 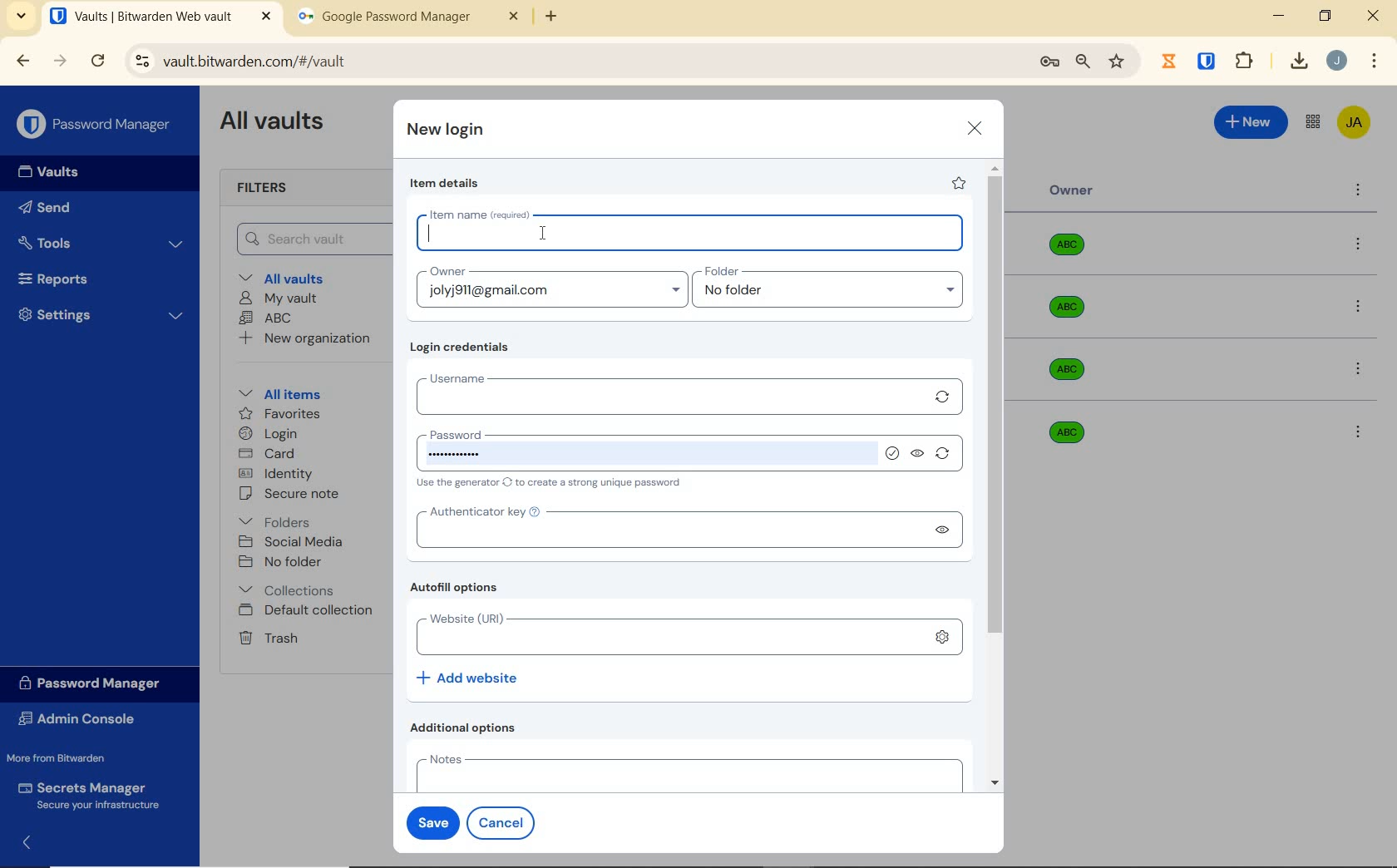 What do you see at coordinates (1354, 124) in the screenshot?
I see `Bitwarden Account` at bounding box center [1354, 124].